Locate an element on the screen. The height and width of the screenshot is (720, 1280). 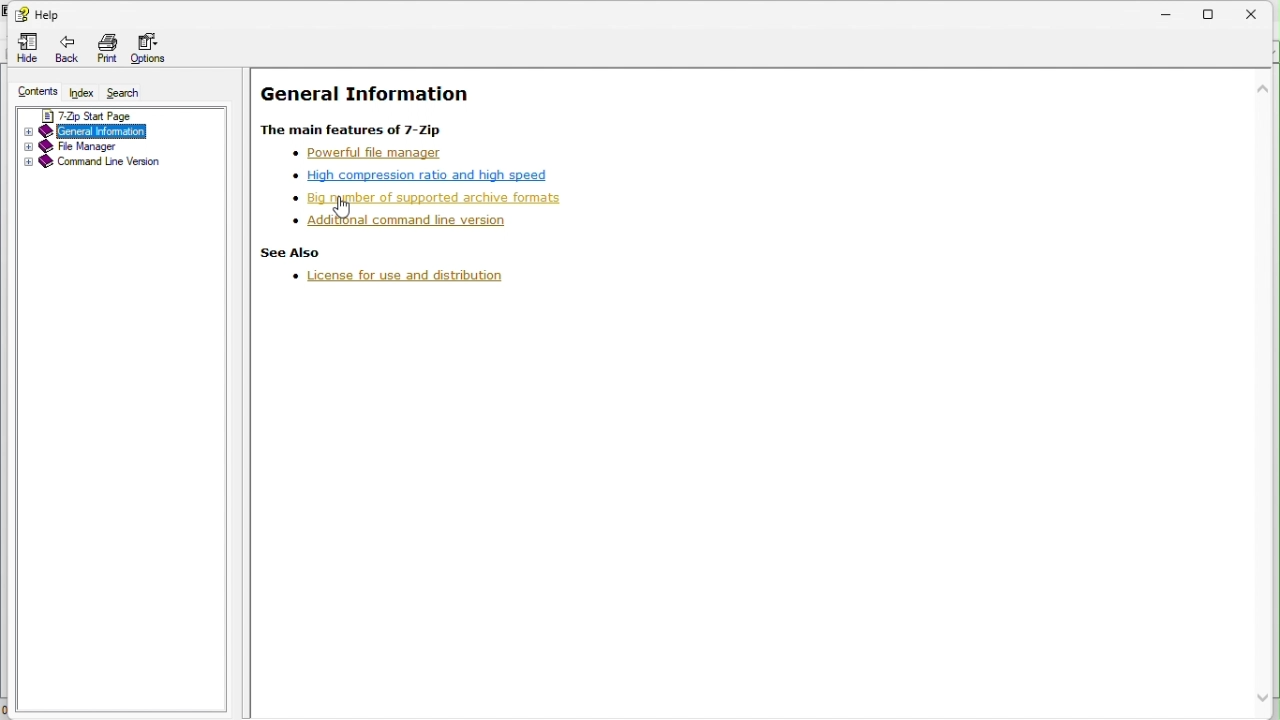
Restore is located at coordinates (1213, 13).